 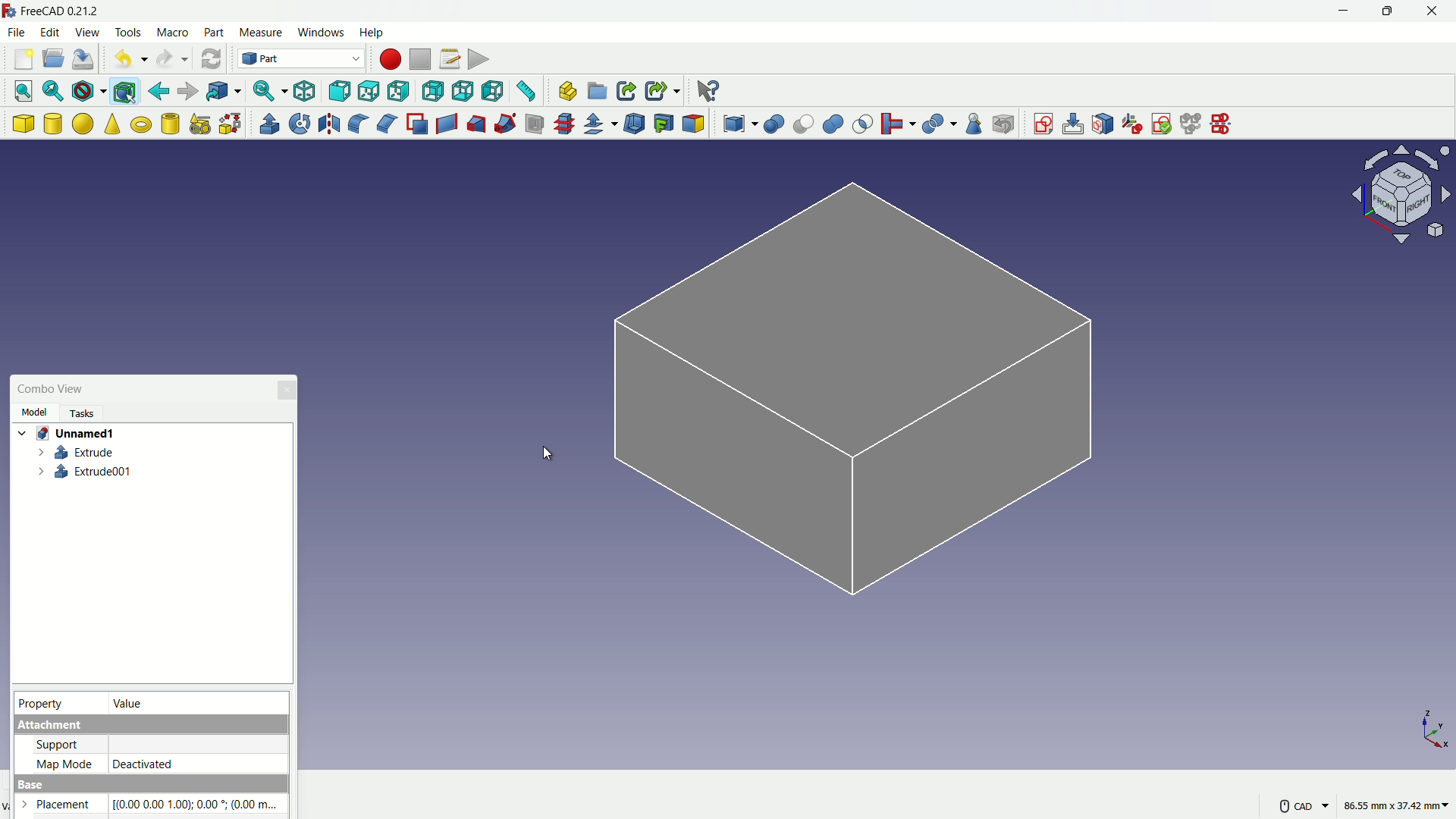 I want to click on part , so click(x=214, y=32).